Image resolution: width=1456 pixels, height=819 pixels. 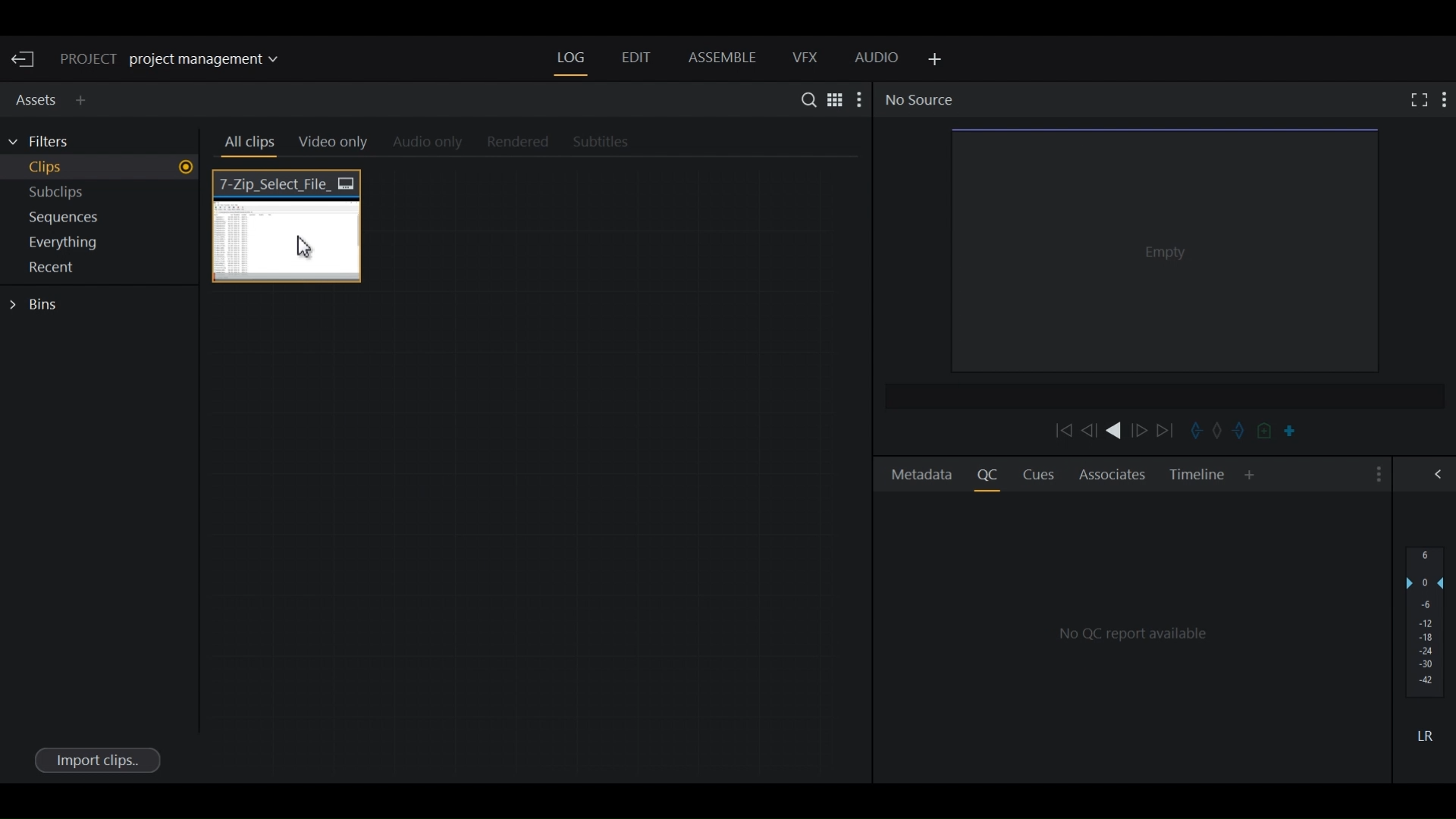 What do you see at coordinates (1136, 632) in the screenshot?
I see `QC Reports` at bounding box center [1136, 632].